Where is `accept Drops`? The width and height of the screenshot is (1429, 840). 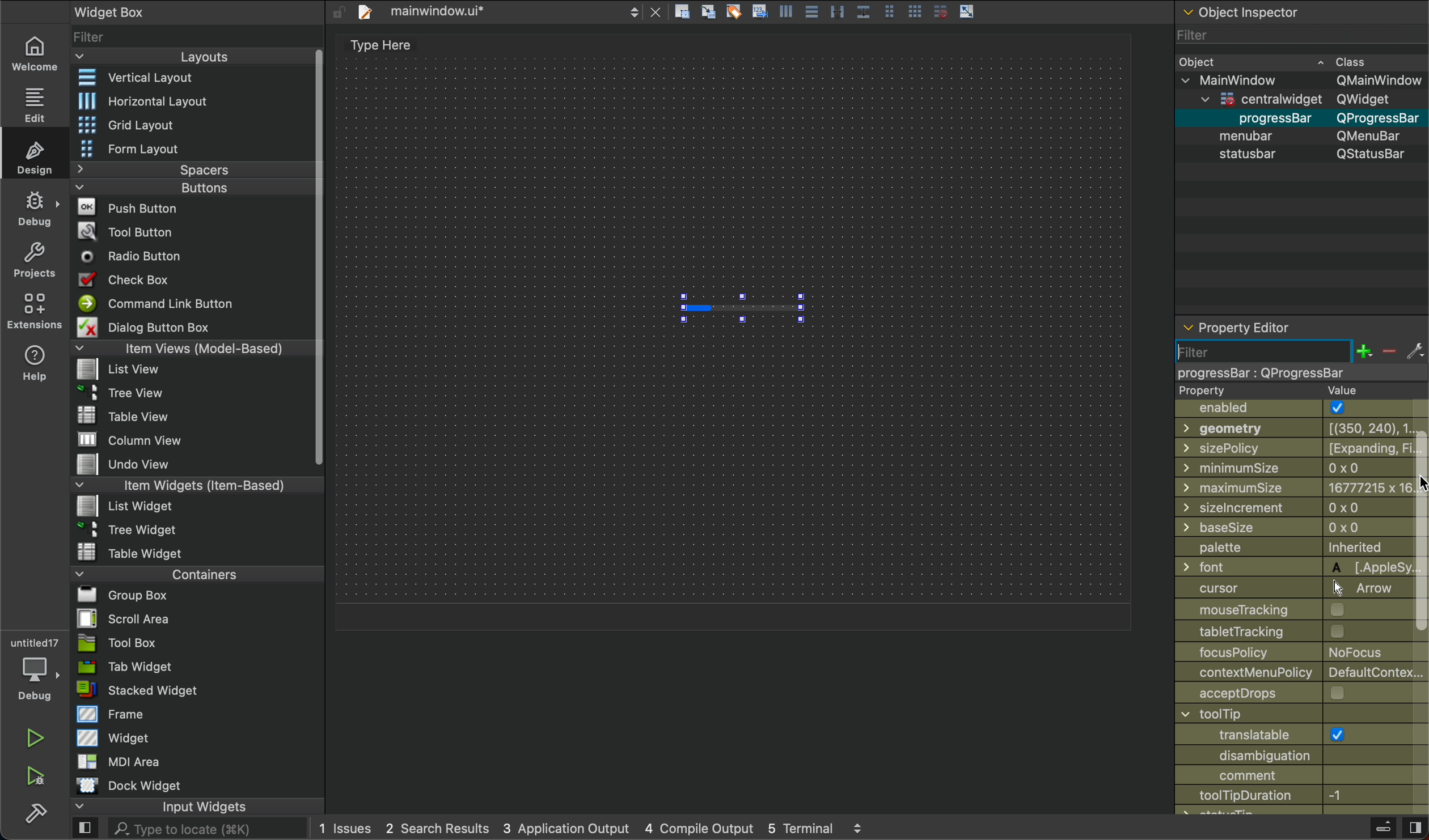
accept Drops is located at coordinates (1303, 691).